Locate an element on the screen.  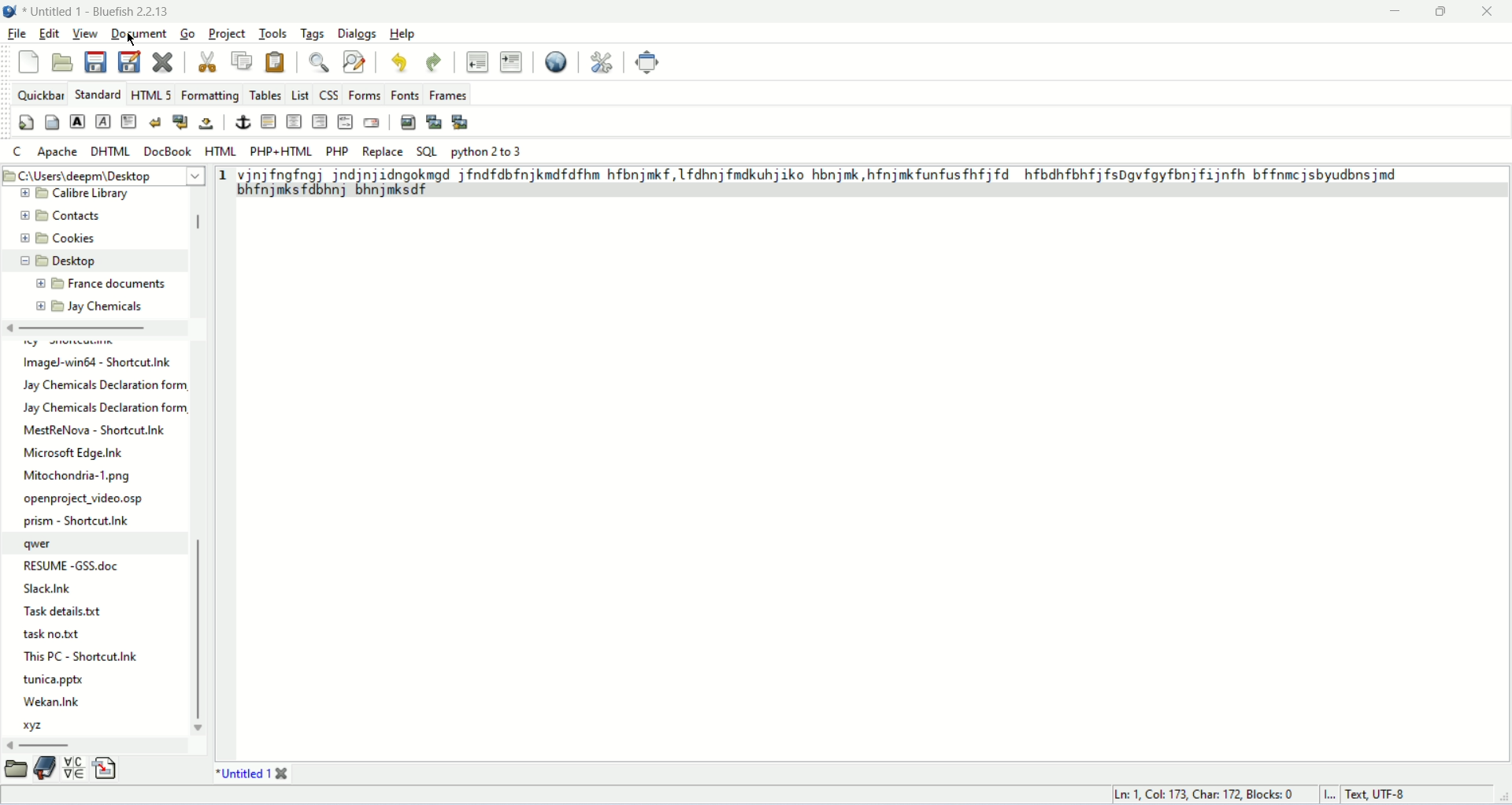
cursor is located at coordinates (131, 39).